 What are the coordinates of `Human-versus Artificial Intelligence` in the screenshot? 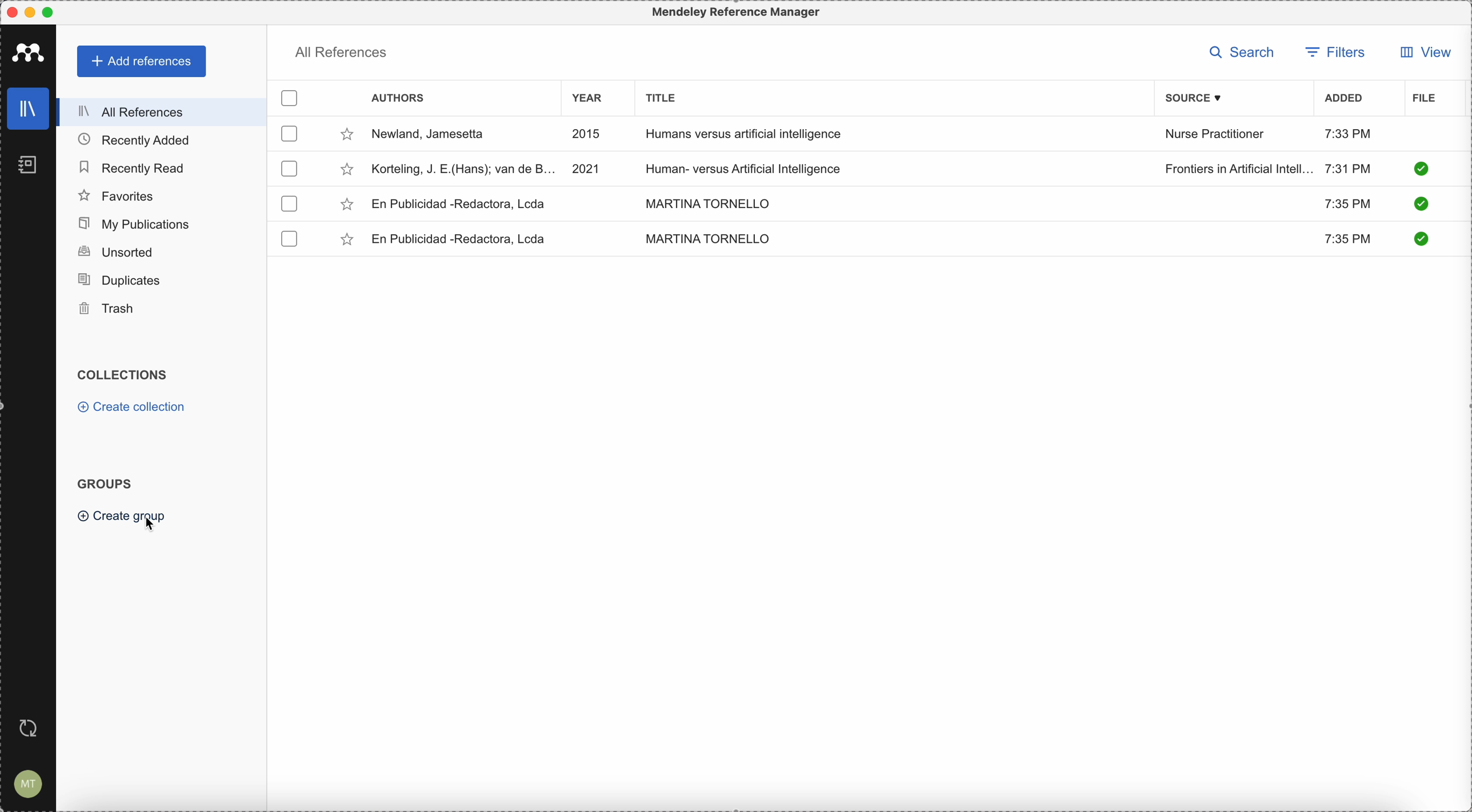 It's located at (754, 167).